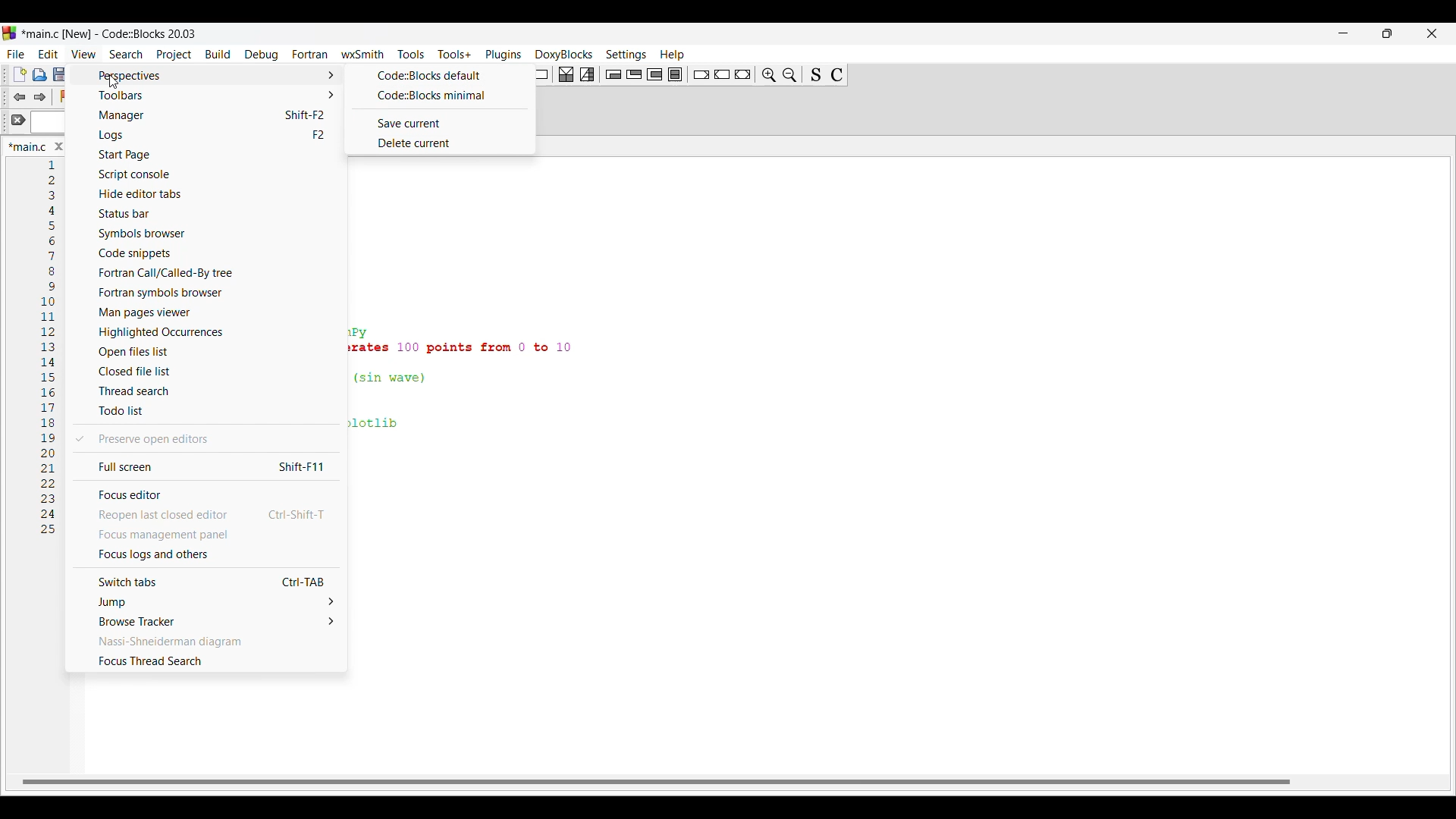 Image resolution: width=1456 pixels, height=819 pixels. What do you see at coordinates (438, 96) in the screenshot?
I see `Minimal view` at bounding box center [438, 96].